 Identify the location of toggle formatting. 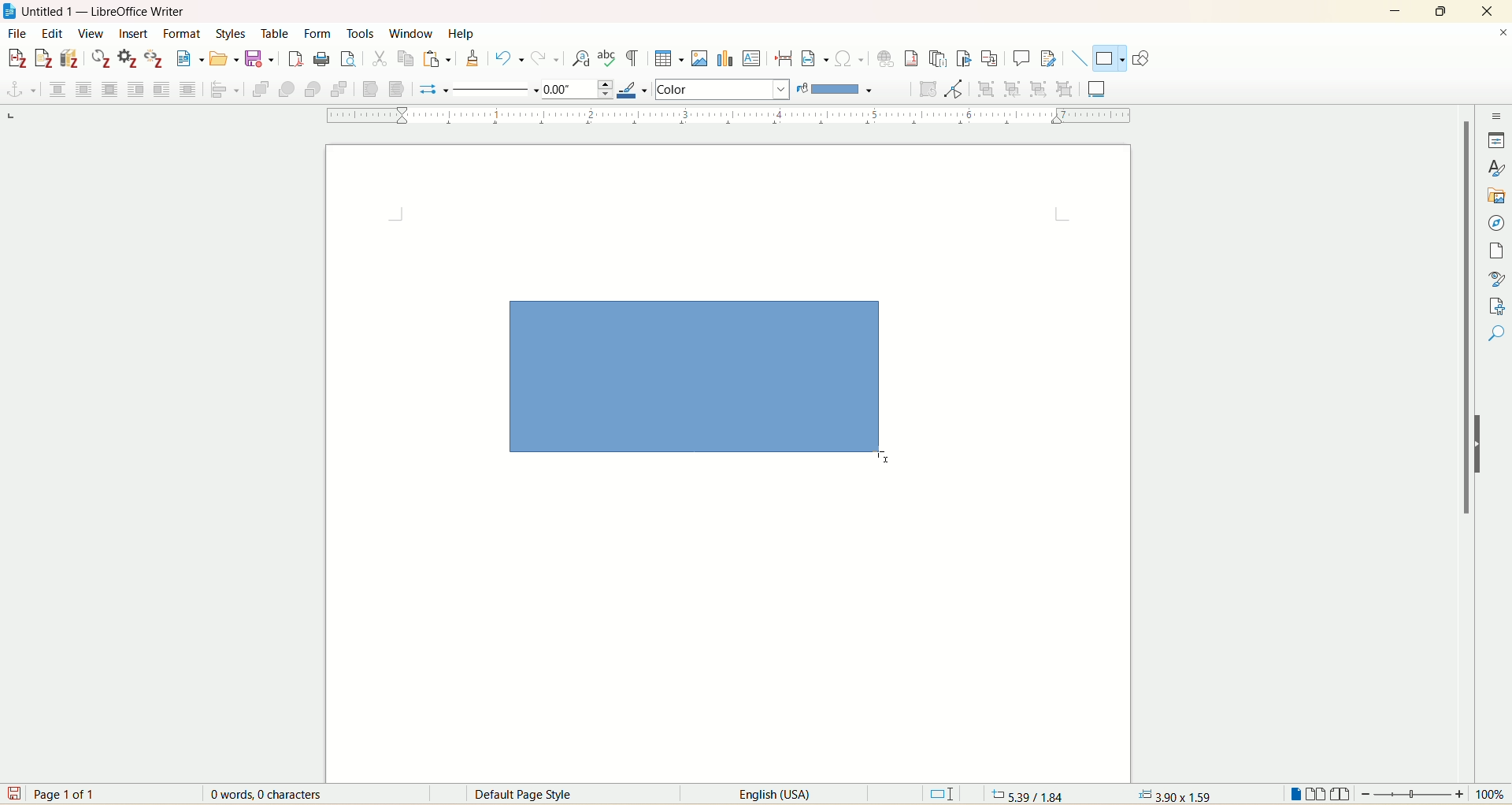
(632, 59).